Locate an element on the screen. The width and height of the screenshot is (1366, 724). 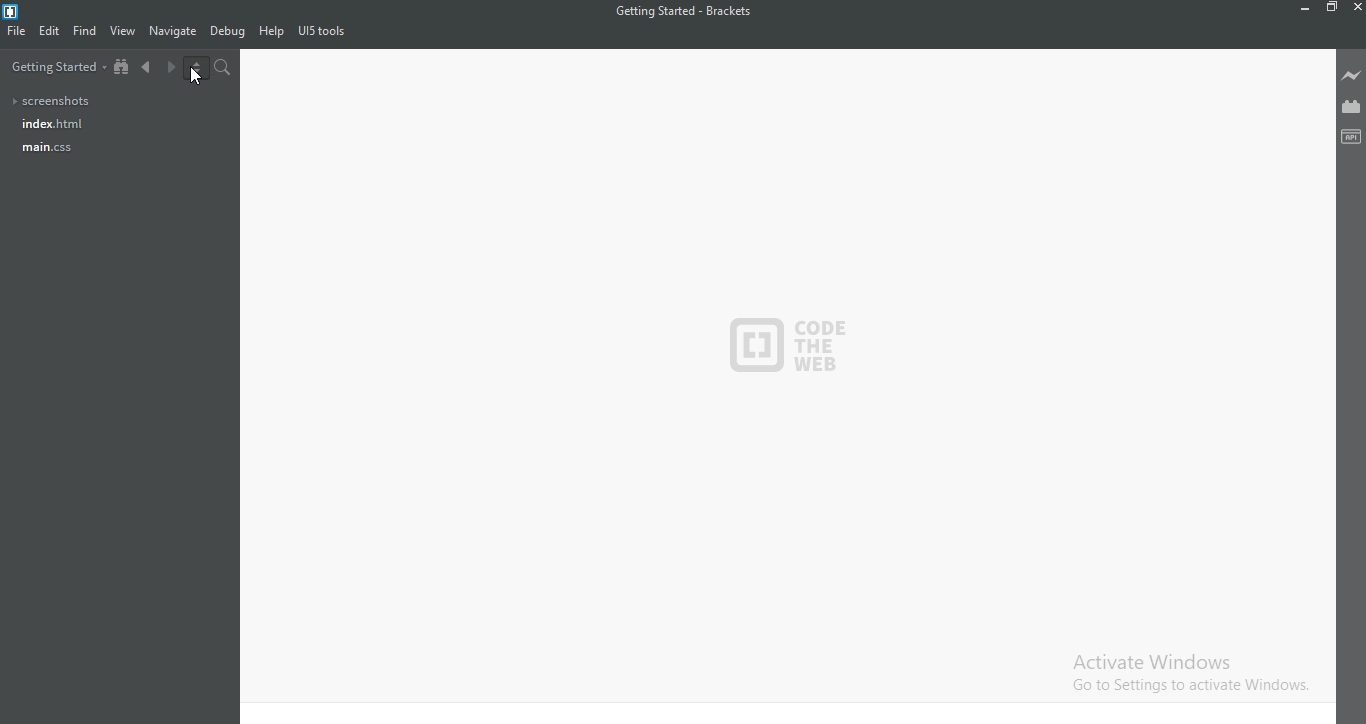
UI5 tools is located at coordinates (324, 34).